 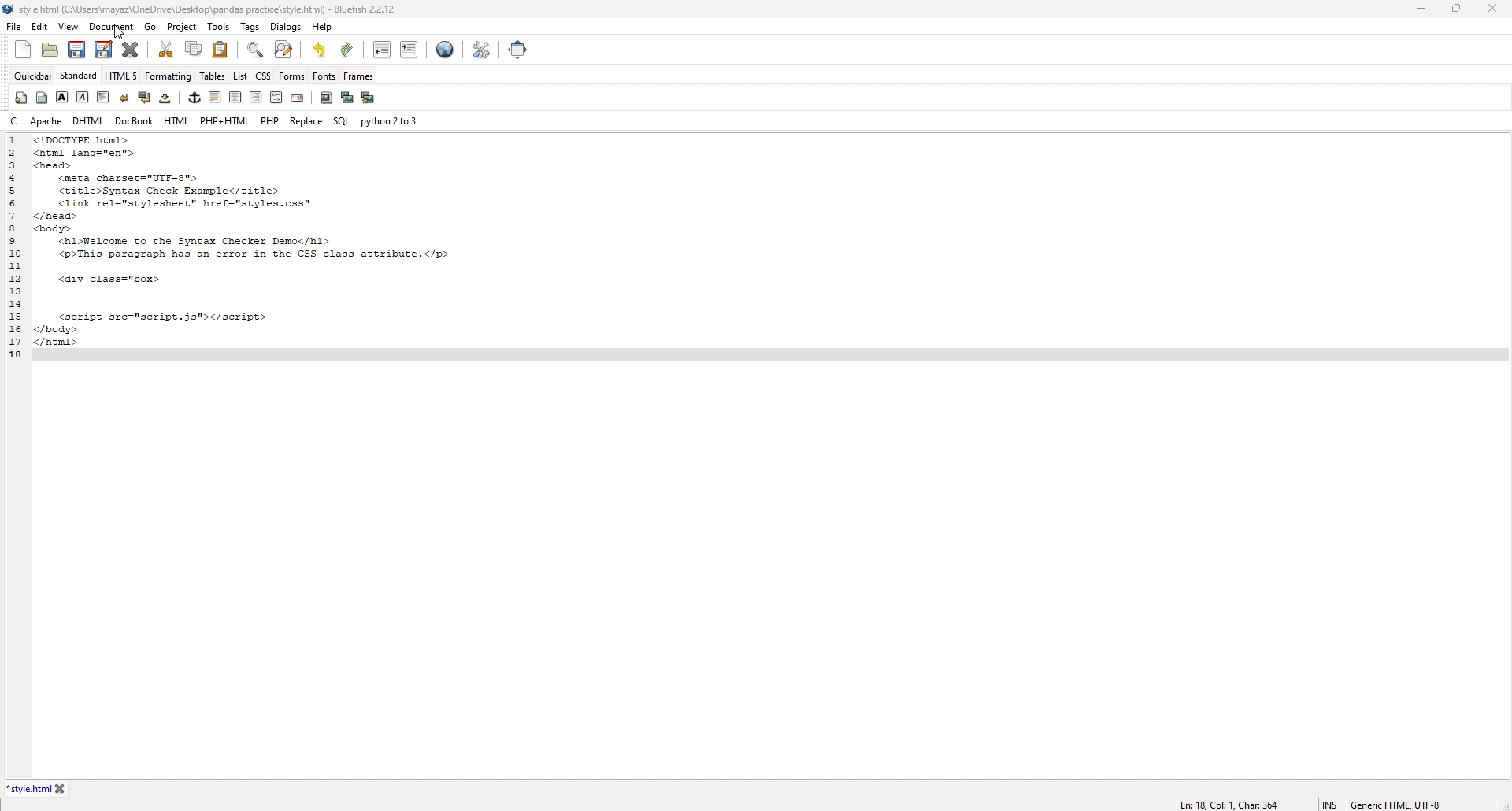 I want to click on open, so click(x=49, y=50).